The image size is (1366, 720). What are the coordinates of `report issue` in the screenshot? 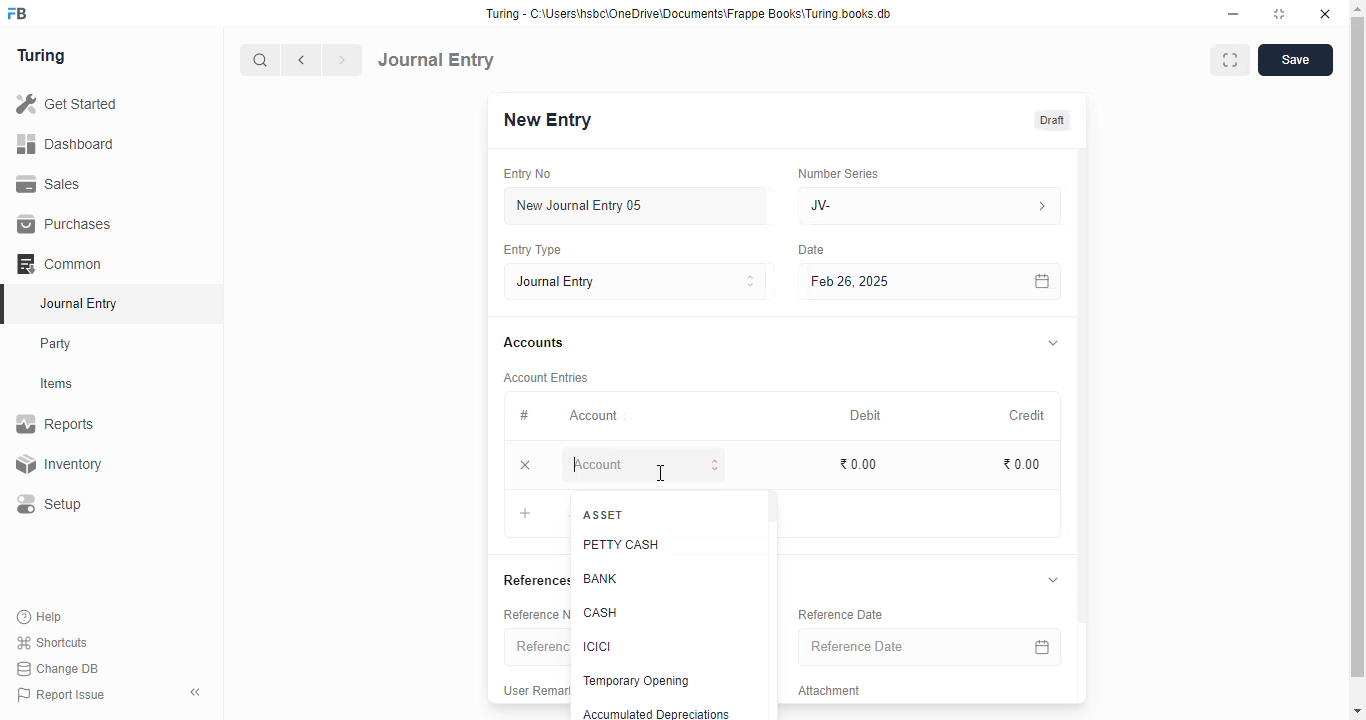 It's located at (61, 695).